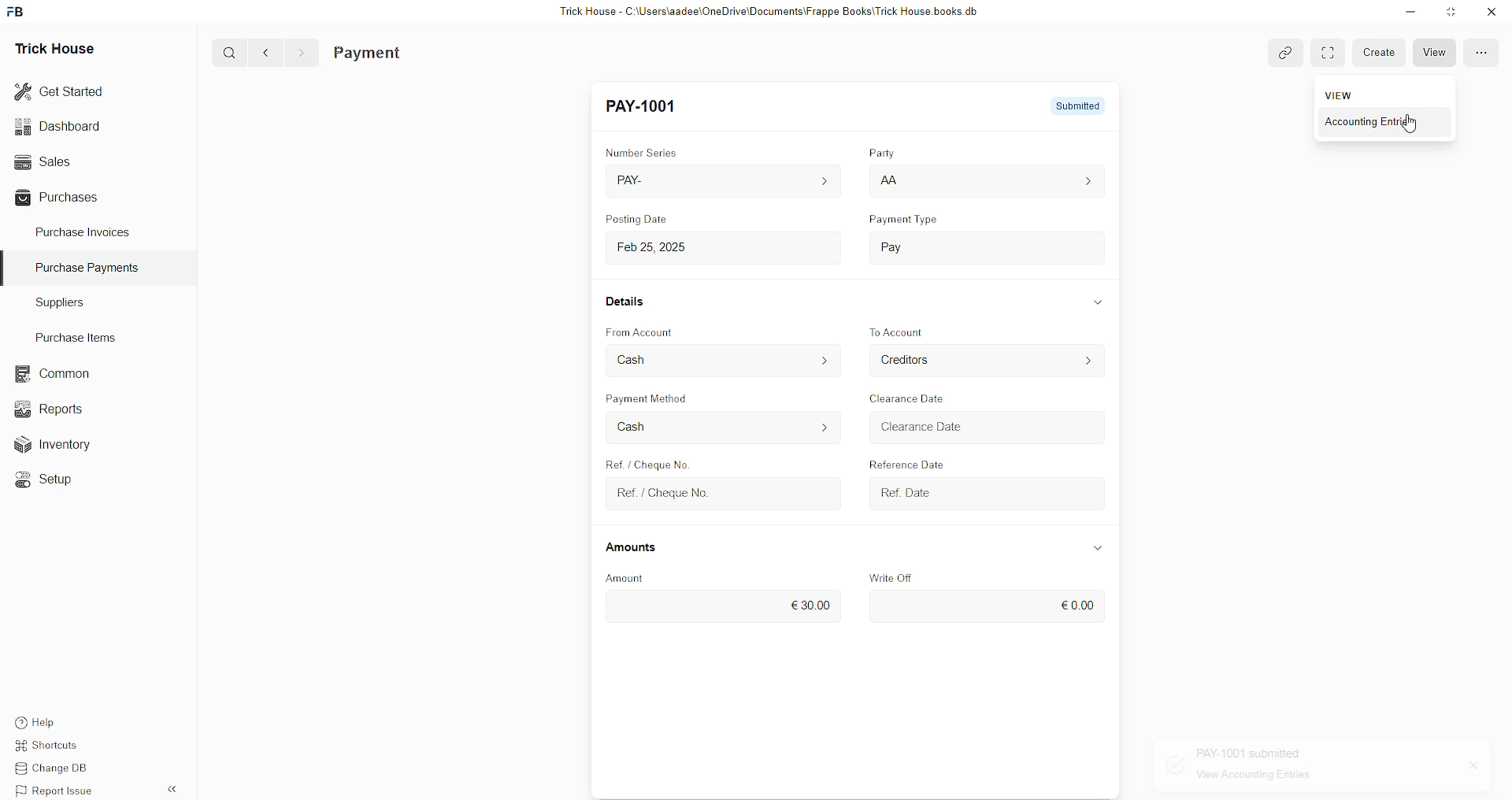 The width and height of the screenshot is (1512, 800). What do you see at coordinates (1412, 127) in the screenshot?
I see `cursor` at bounding box center [1412, 127].